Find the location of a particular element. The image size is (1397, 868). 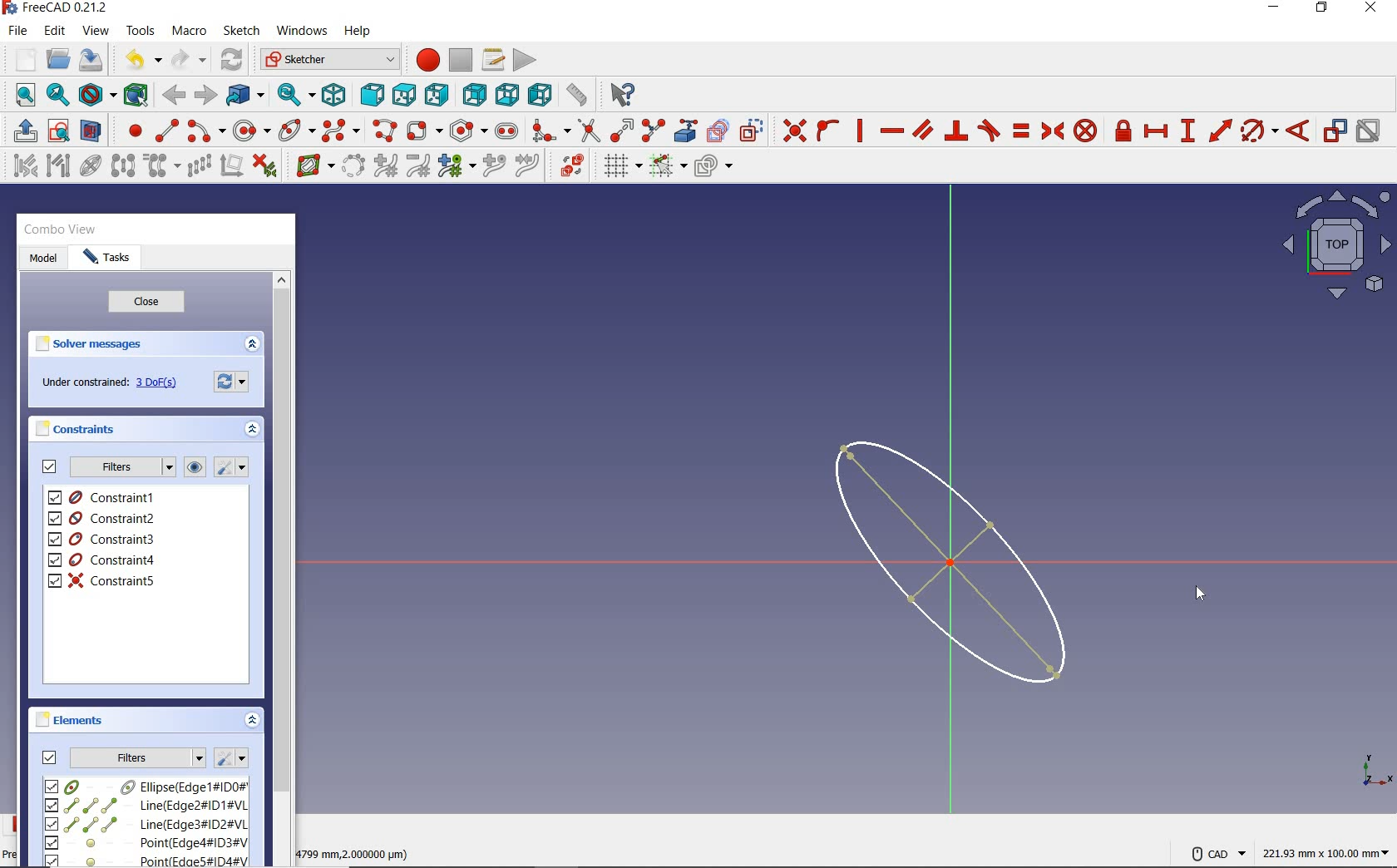

select associated geometry is located at coordinates (58, 167).